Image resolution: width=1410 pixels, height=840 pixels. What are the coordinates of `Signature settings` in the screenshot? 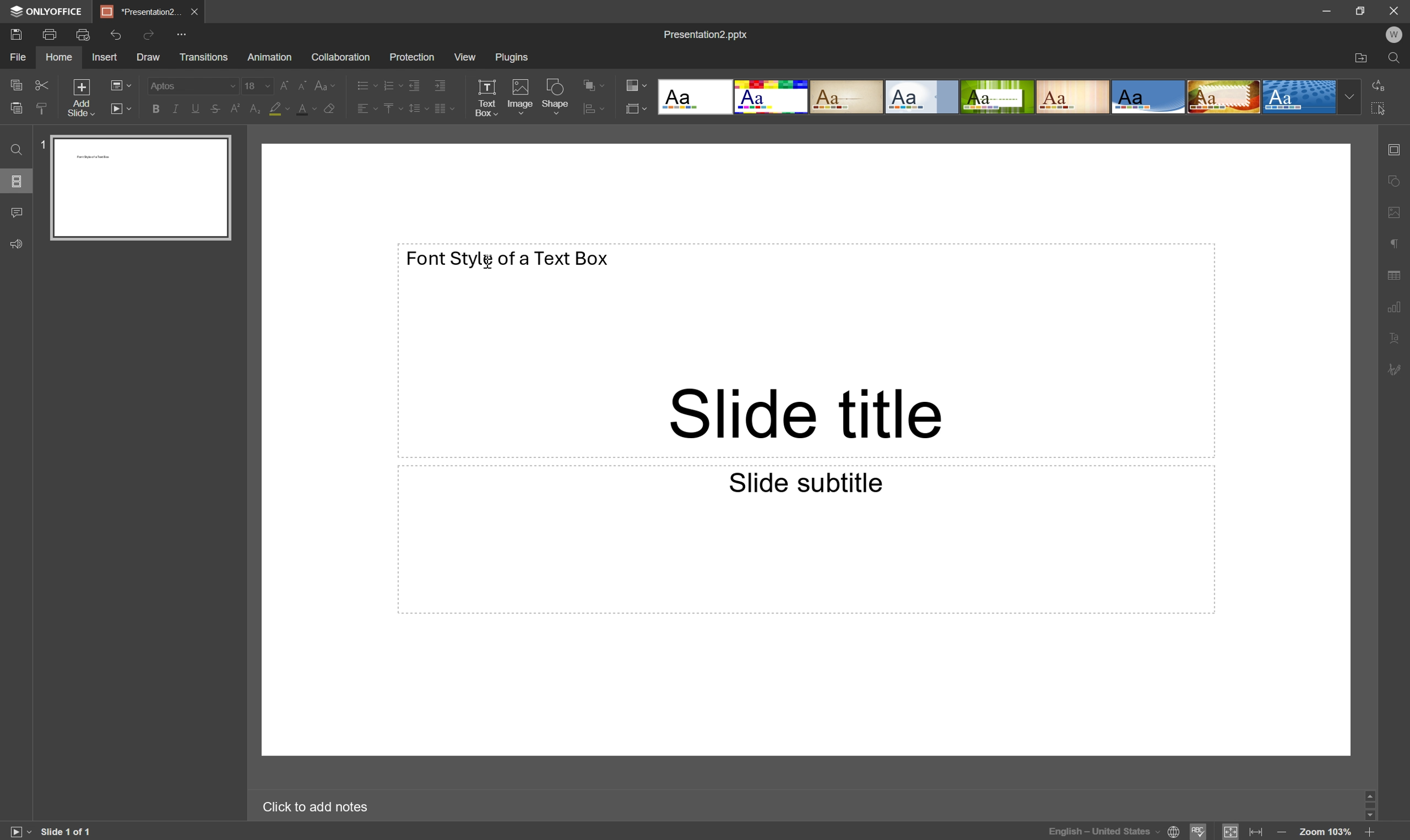 It's located at (1399, 370).